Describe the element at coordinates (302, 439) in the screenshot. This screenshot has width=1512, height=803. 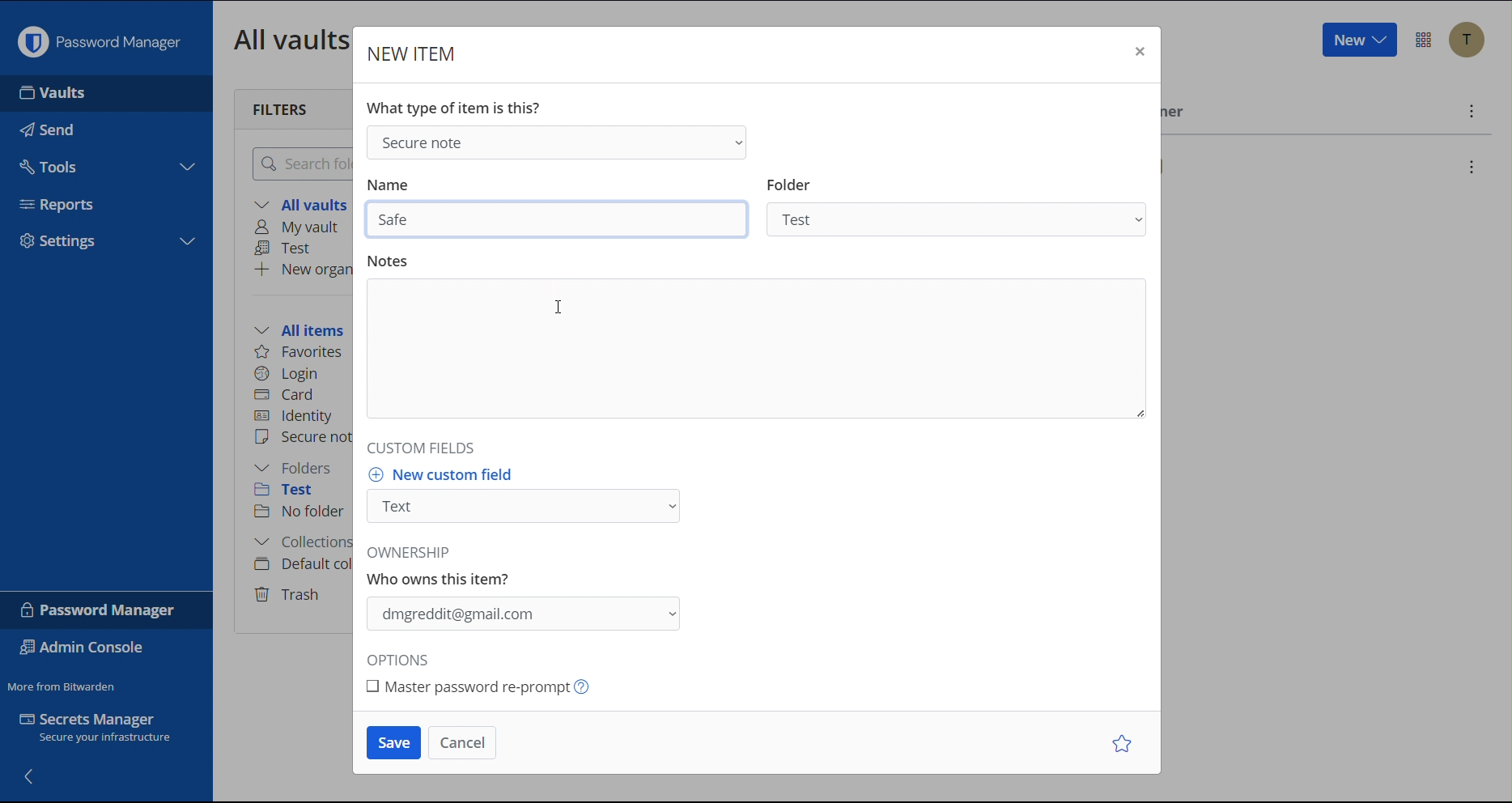
I see `Secure` at that location.